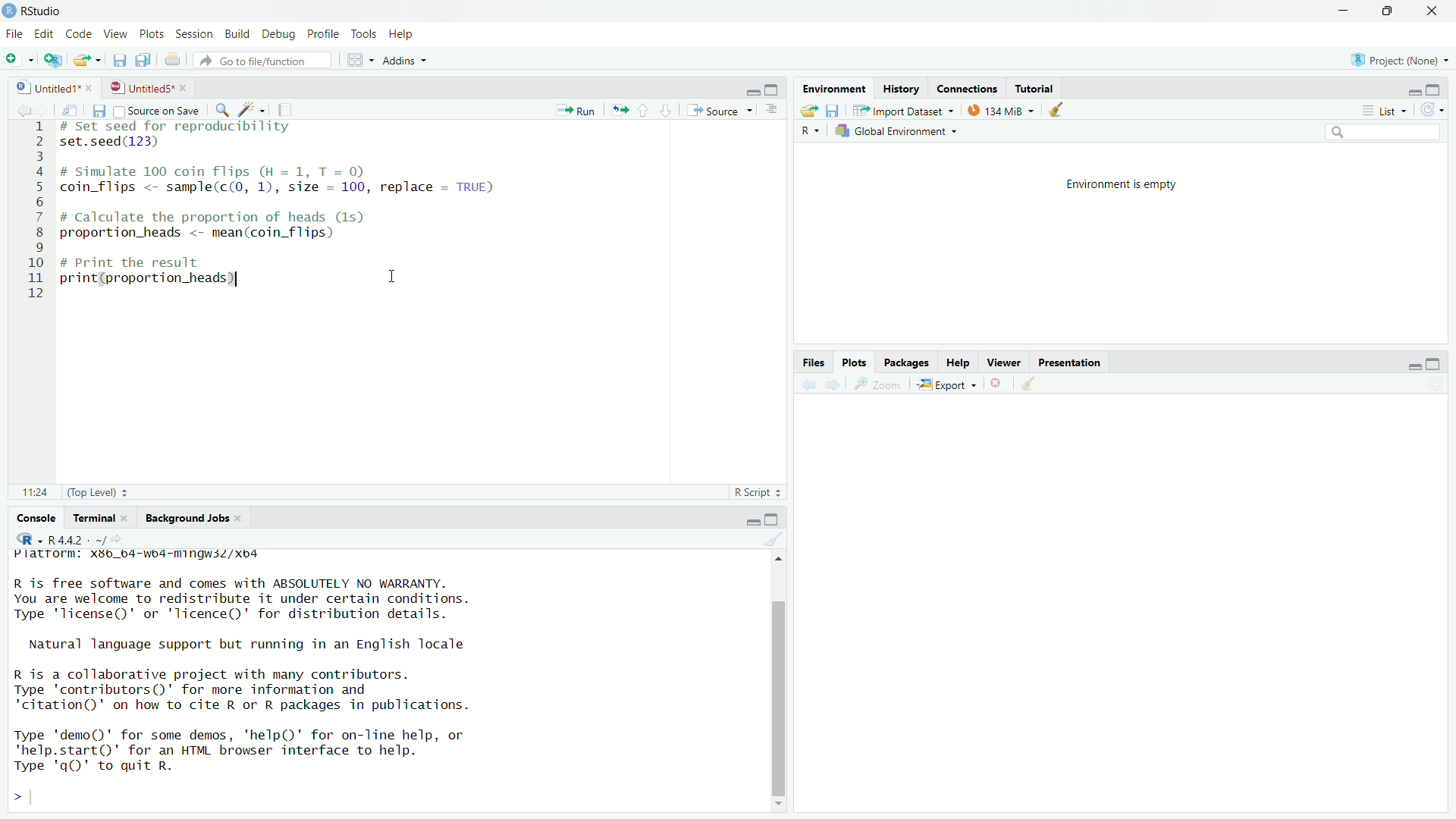  What do you see at coordinates (778, 519) in the screenshot?
I see `maximize` at bounding box center [778, 519].